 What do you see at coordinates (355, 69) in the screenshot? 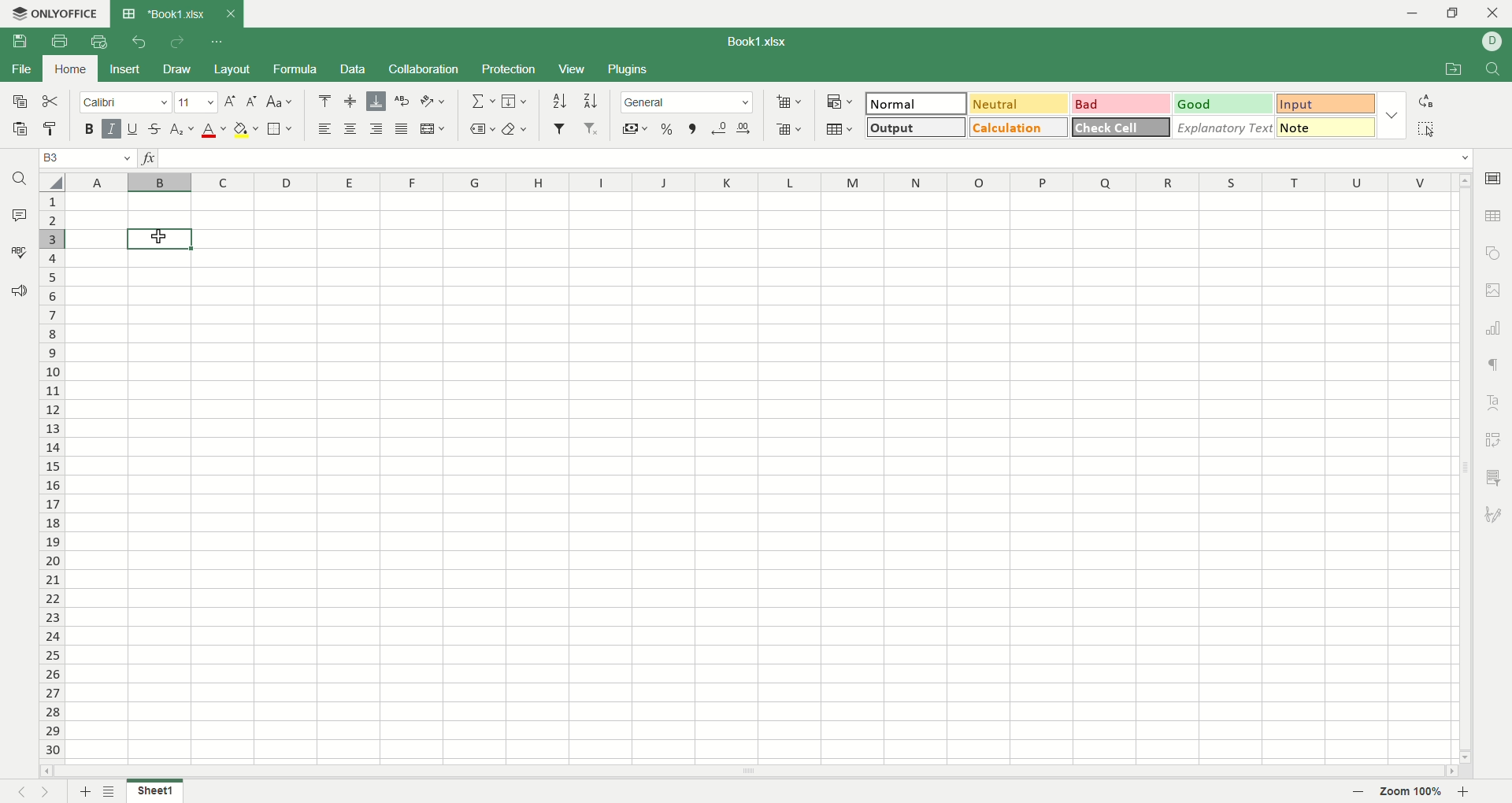
I see `data` at bounding box center [355, 69].